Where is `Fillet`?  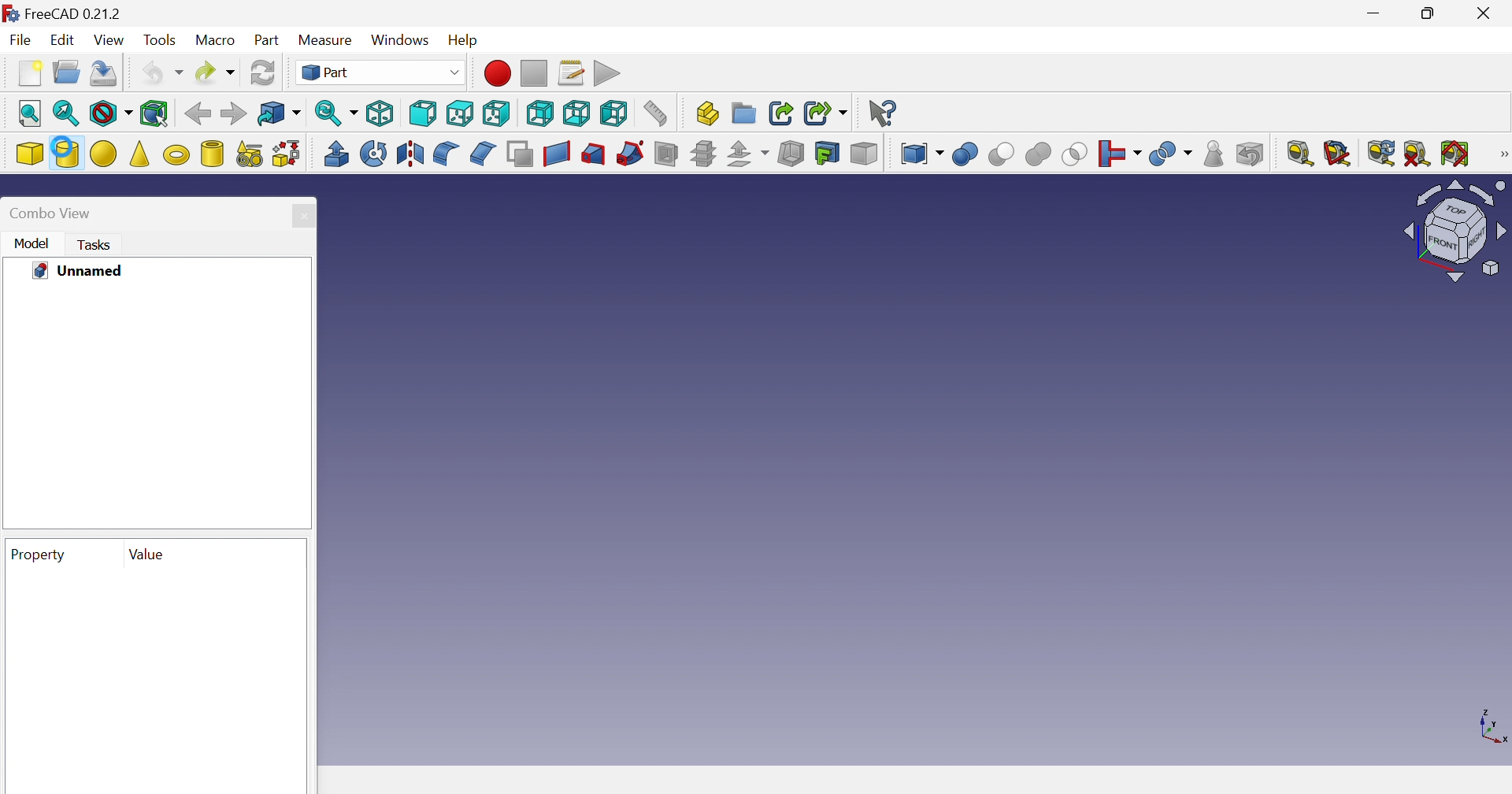 Fillet is located at coordinates (445, 154).